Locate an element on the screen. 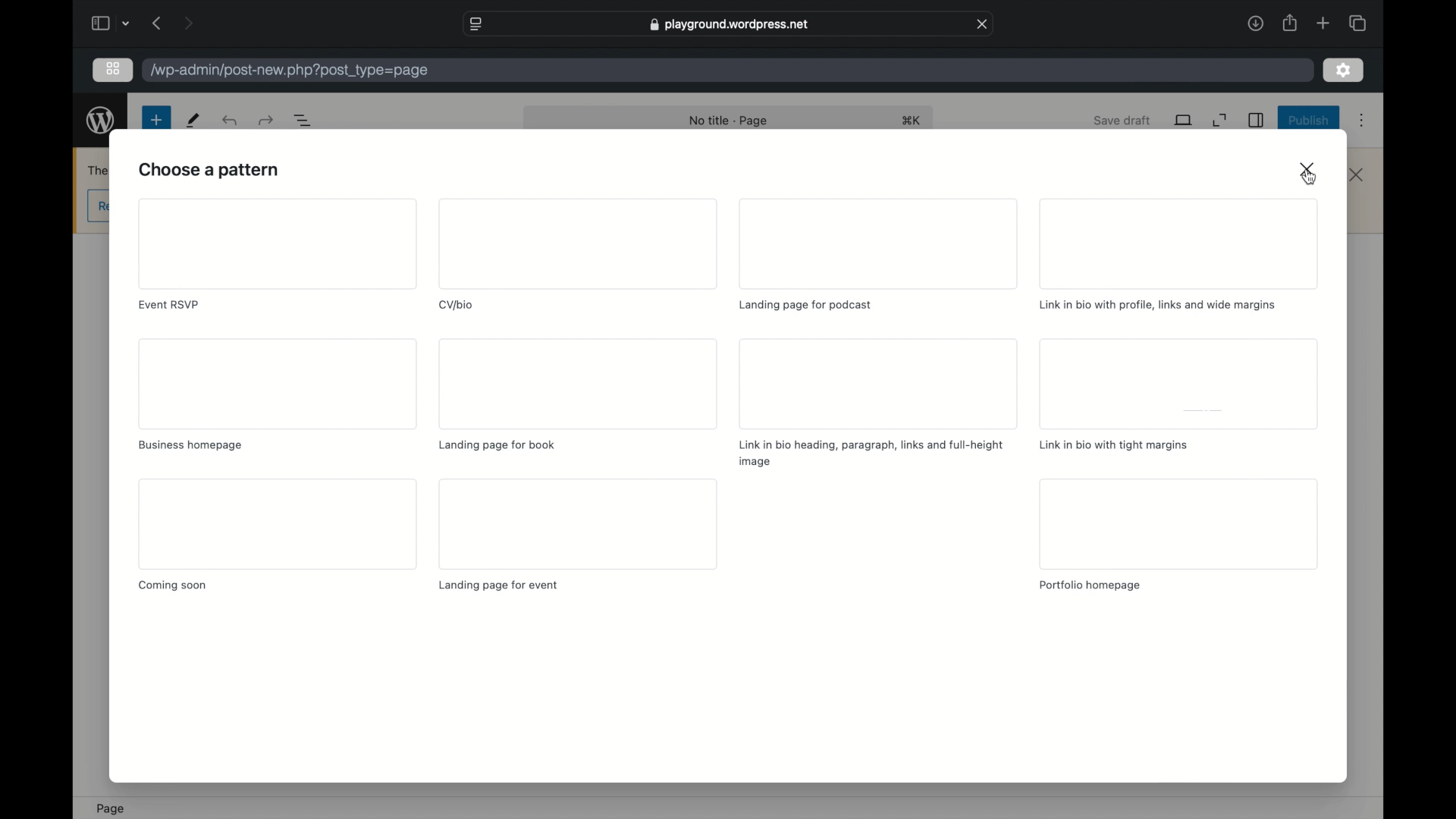 This screenshot has height=819, width=1456. obscure content is located at coordinates (102, 196).